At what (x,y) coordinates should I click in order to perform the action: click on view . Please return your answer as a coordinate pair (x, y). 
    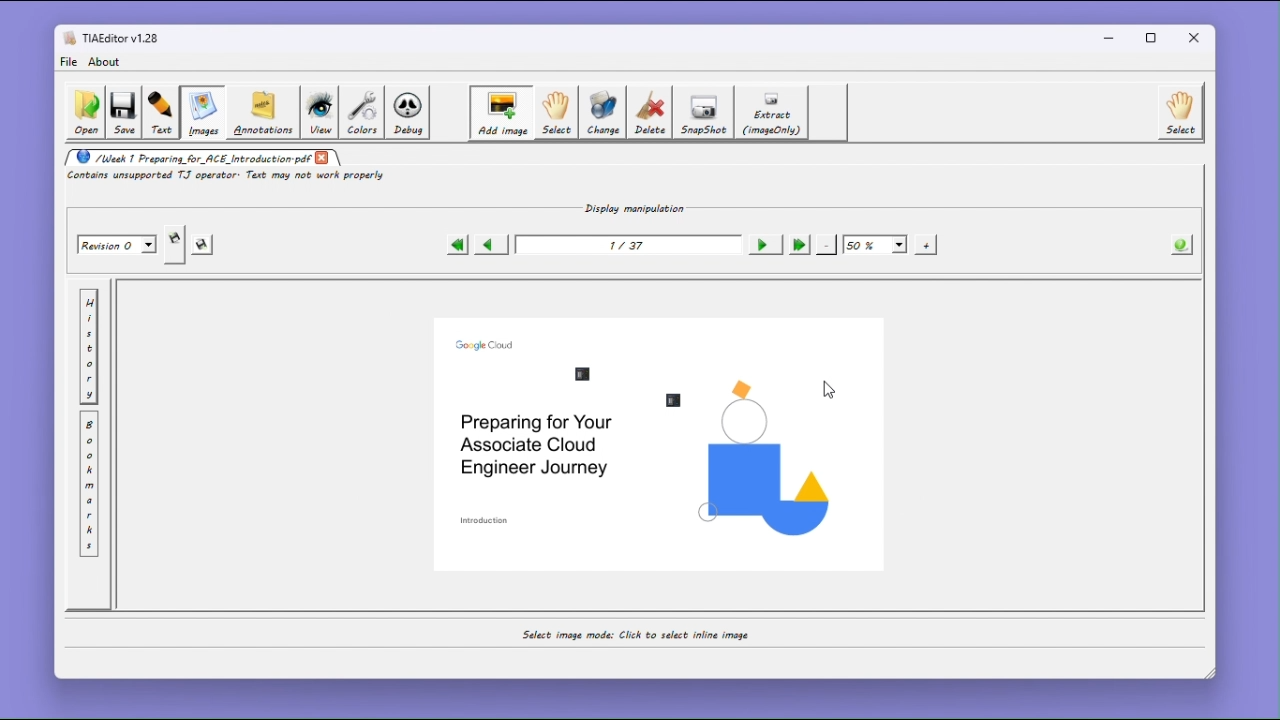
    Looking at the image, I should click on (319, 113).